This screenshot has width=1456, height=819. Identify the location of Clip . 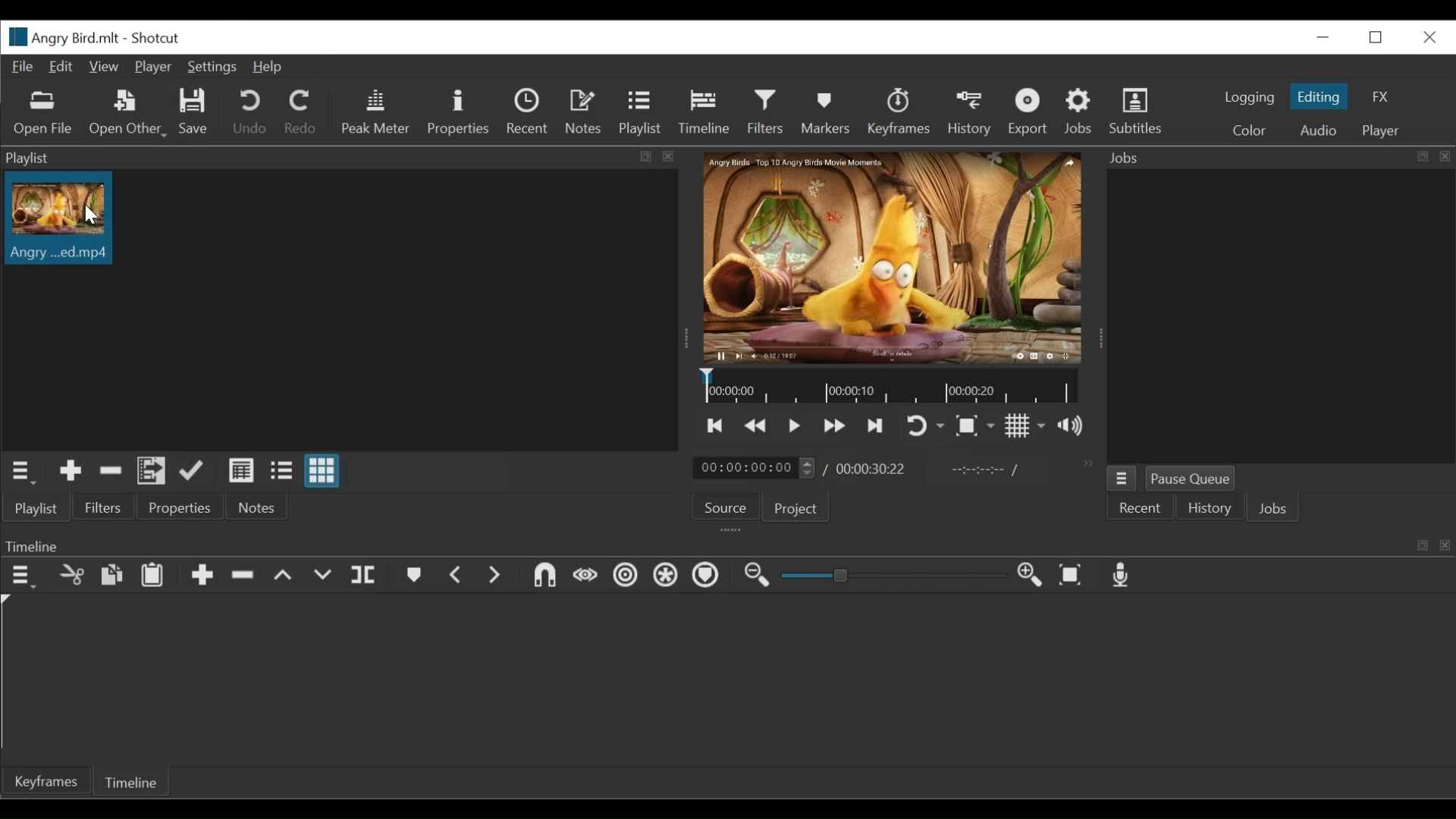
(58, 223).